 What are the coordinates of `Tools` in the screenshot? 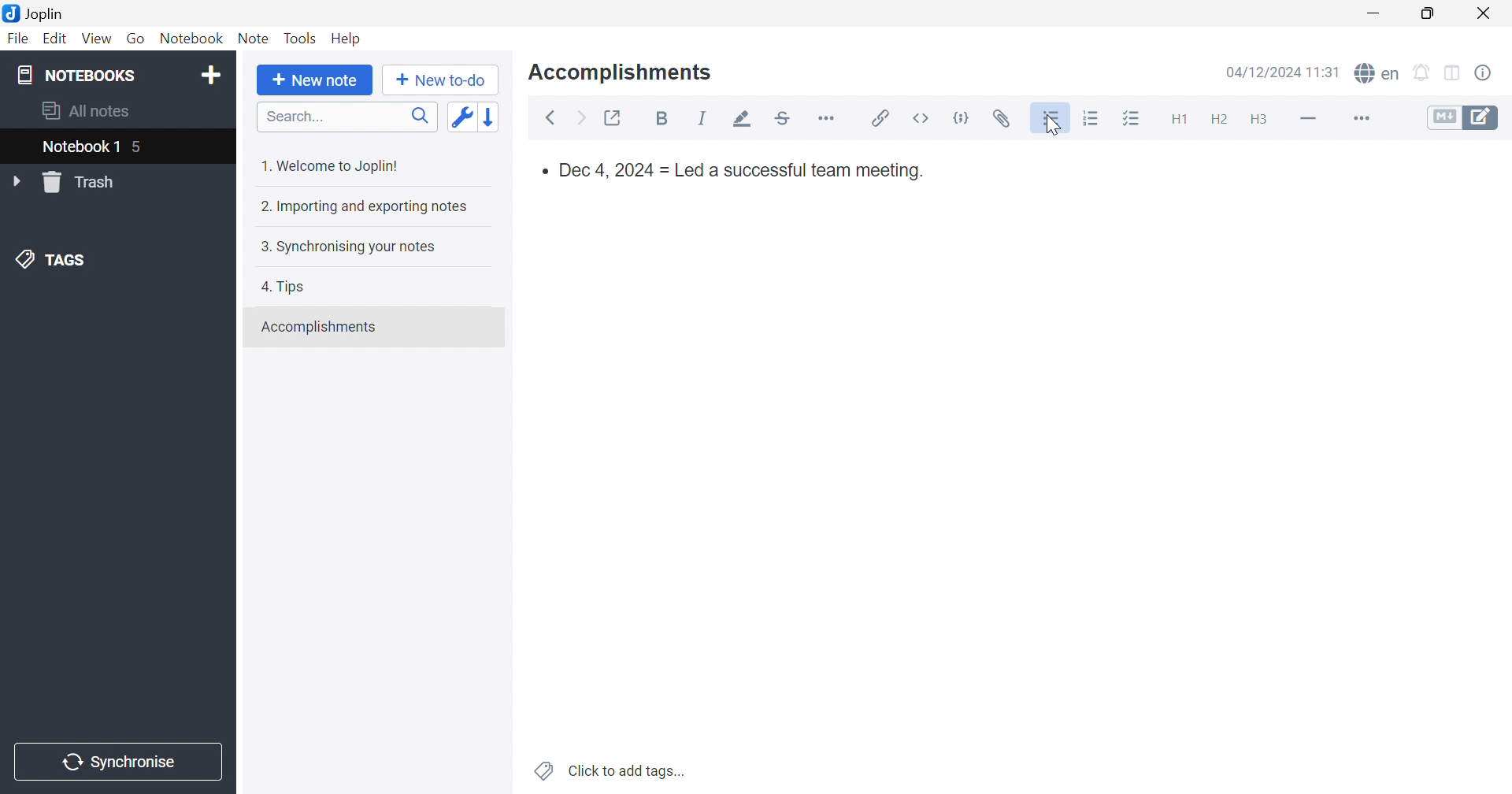 It's located at (299, 38).